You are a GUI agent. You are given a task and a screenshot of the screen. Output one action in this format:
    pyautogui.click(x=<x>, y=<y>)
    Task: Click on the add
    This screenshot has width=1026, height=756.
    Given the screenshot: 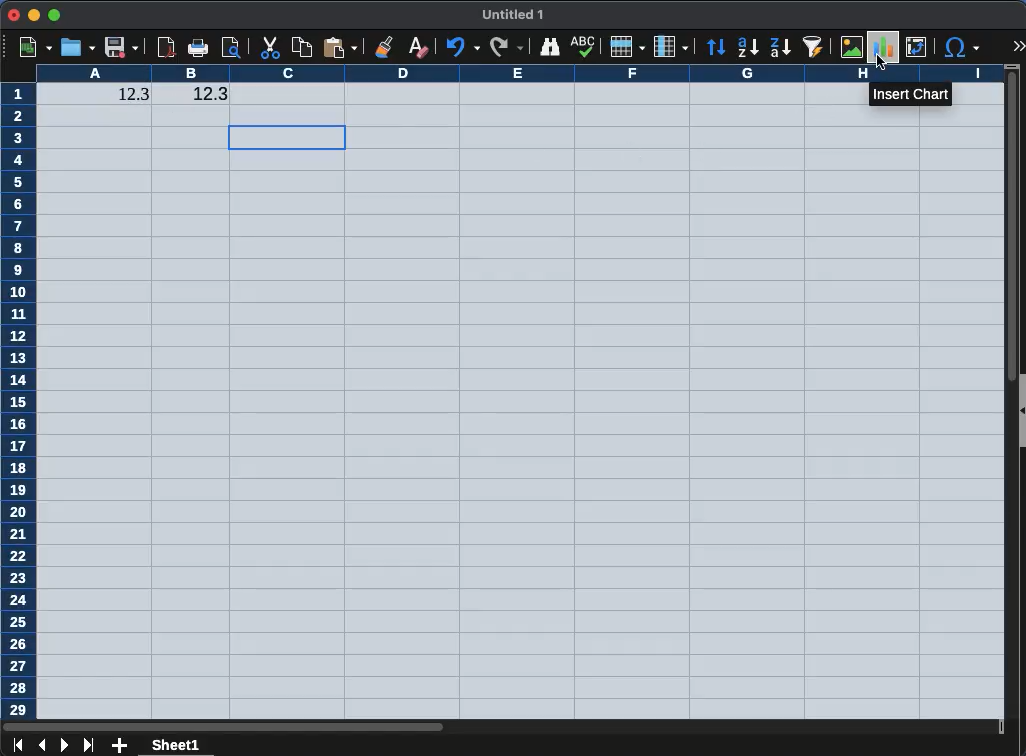 What is the action you would take?
    pyautogui.click(x=119, y=746)
    